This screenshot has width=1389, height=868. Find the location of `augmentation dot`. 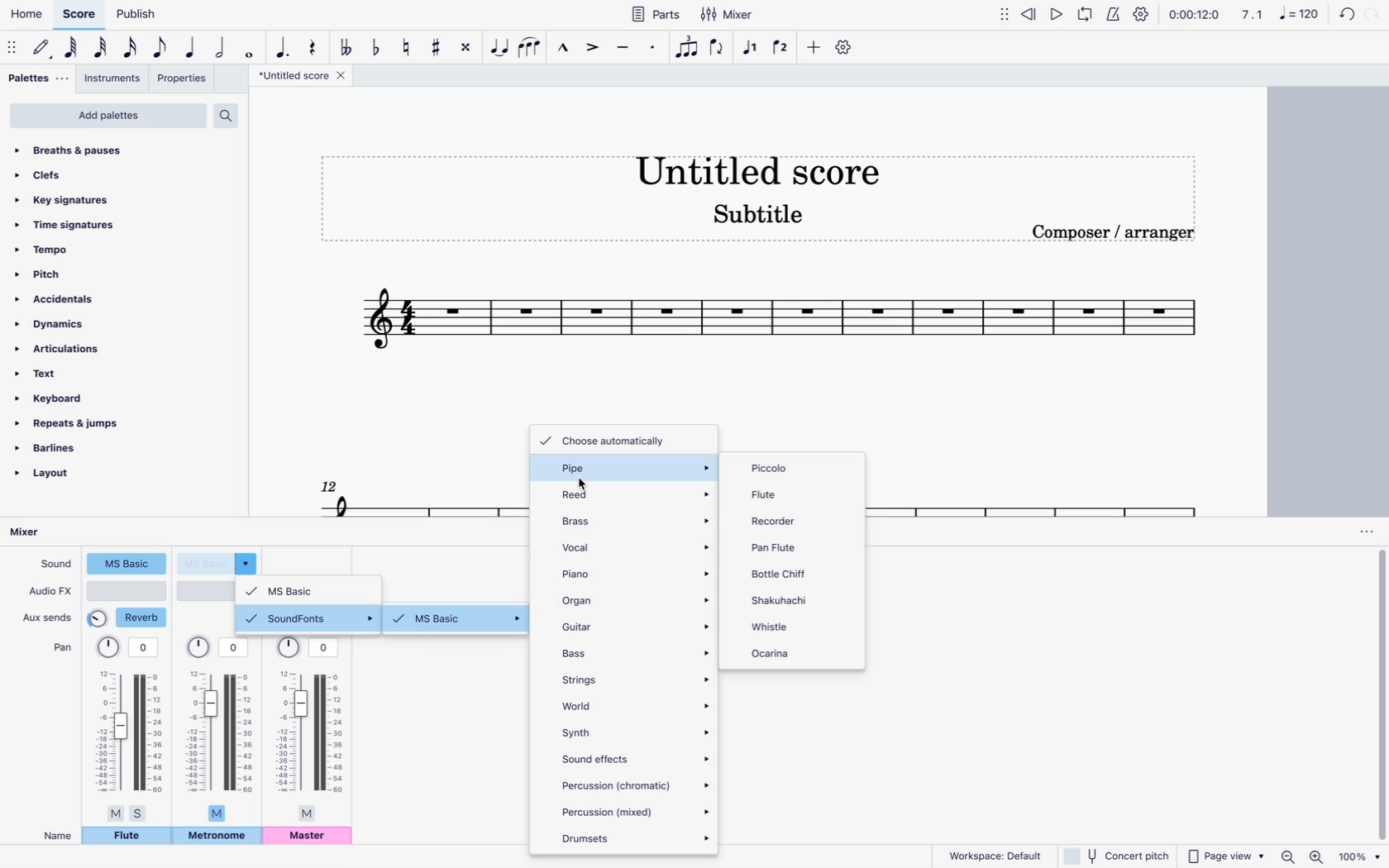

augmentation dot is located at coordinates (281, 43).